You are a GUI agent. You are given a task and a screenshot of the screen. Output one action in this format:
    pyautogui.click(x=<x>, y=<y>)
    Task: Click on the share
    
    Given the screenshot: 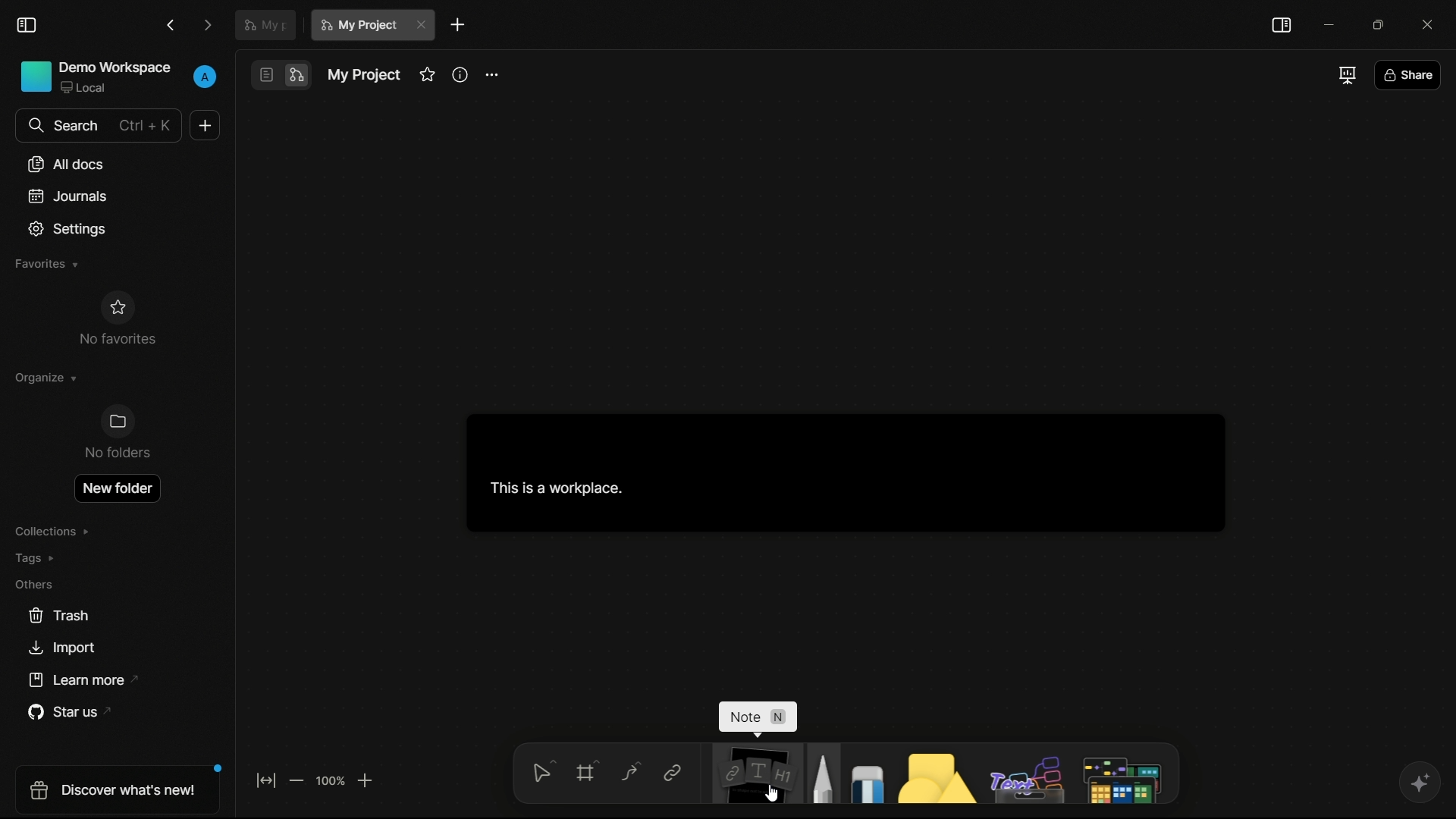 What is the action you would take?
    pyautogui.click(x=1410, y=74)
    